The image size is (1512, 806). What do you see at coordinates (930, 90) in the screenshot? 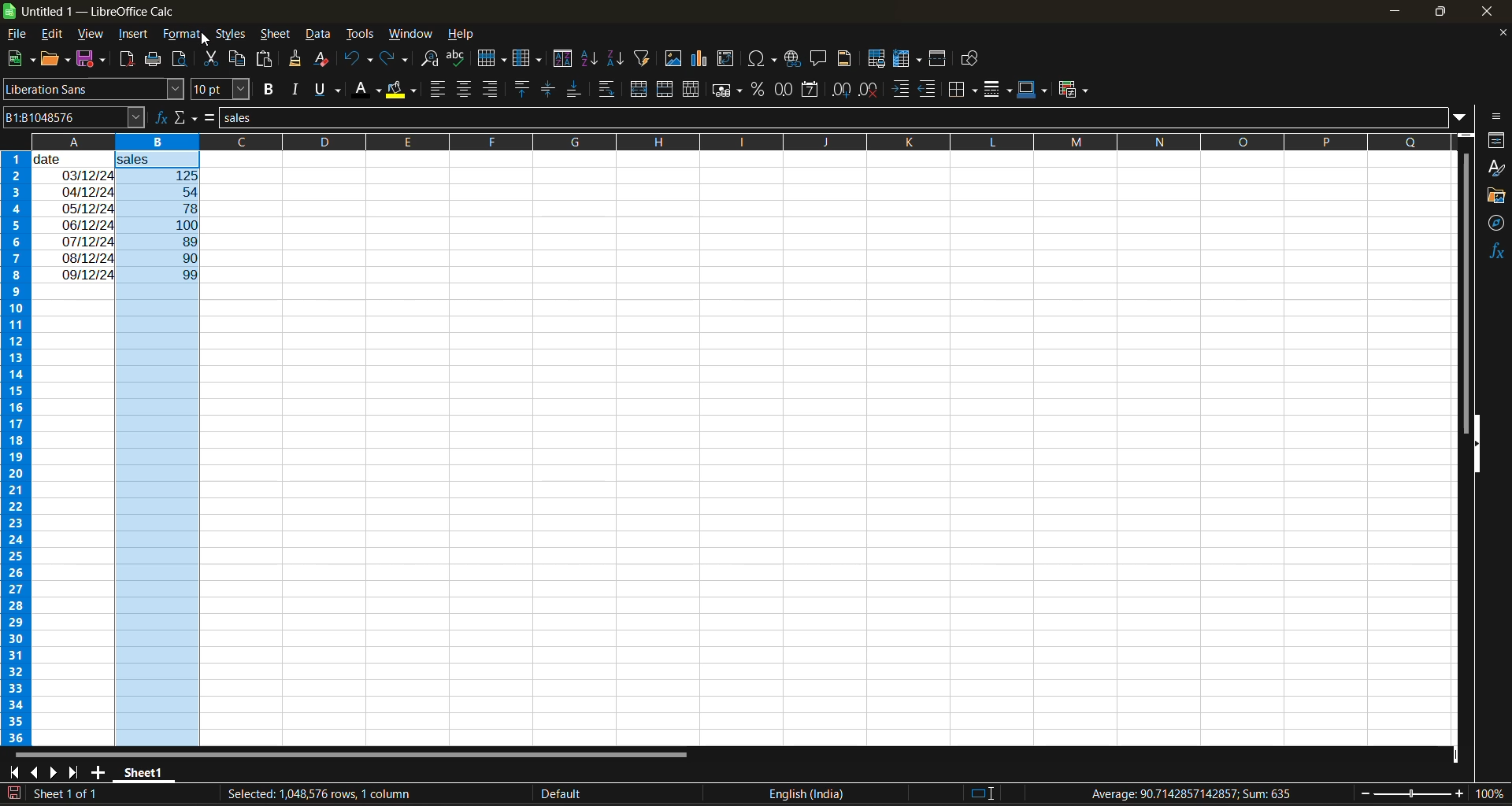
I see `decrease indent` at bounding box center [930, 90].